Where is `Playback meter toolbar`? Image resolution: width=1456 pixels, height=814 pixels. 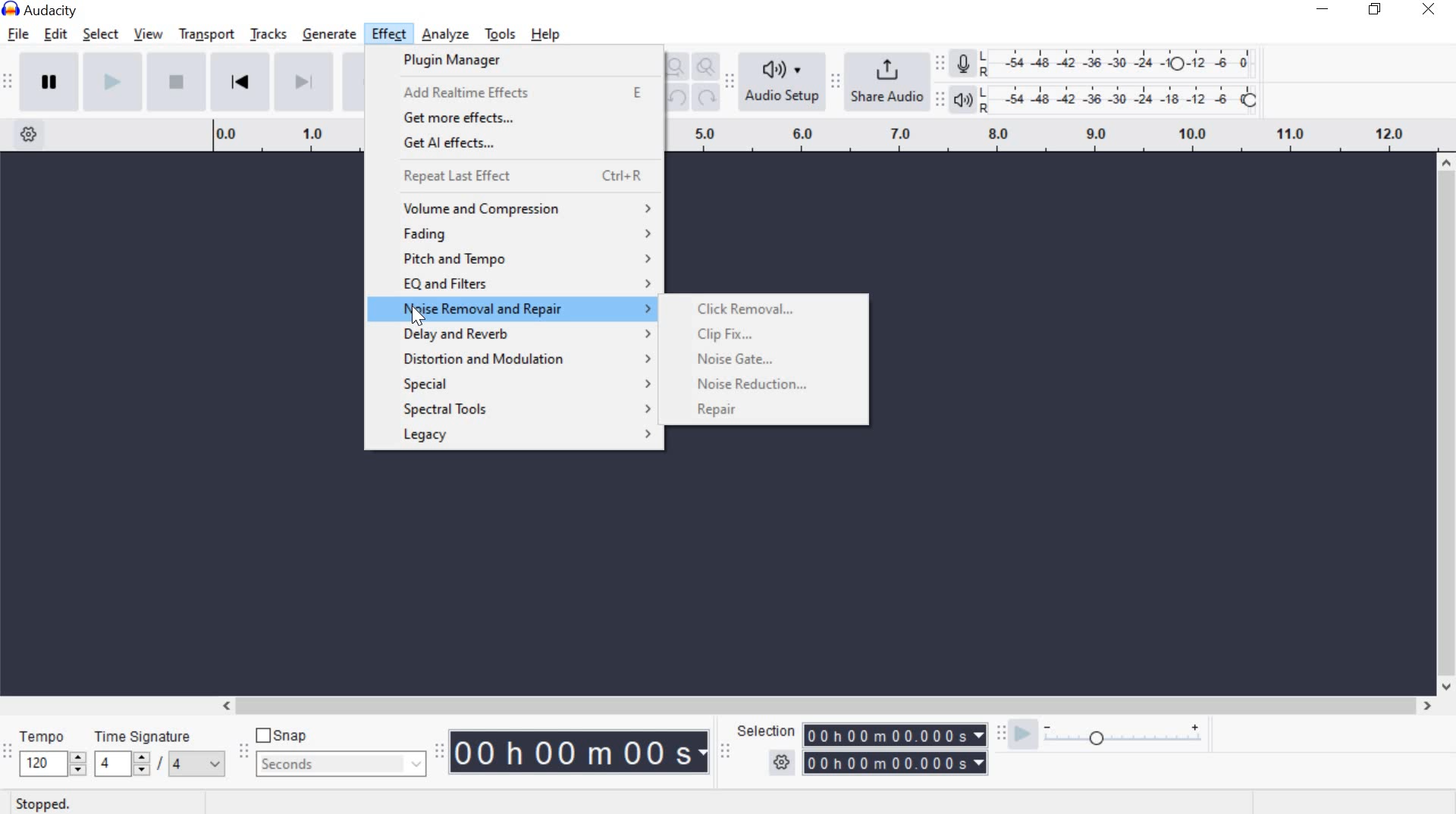
Playback meter toolbar is located at coordinates (937, 98).